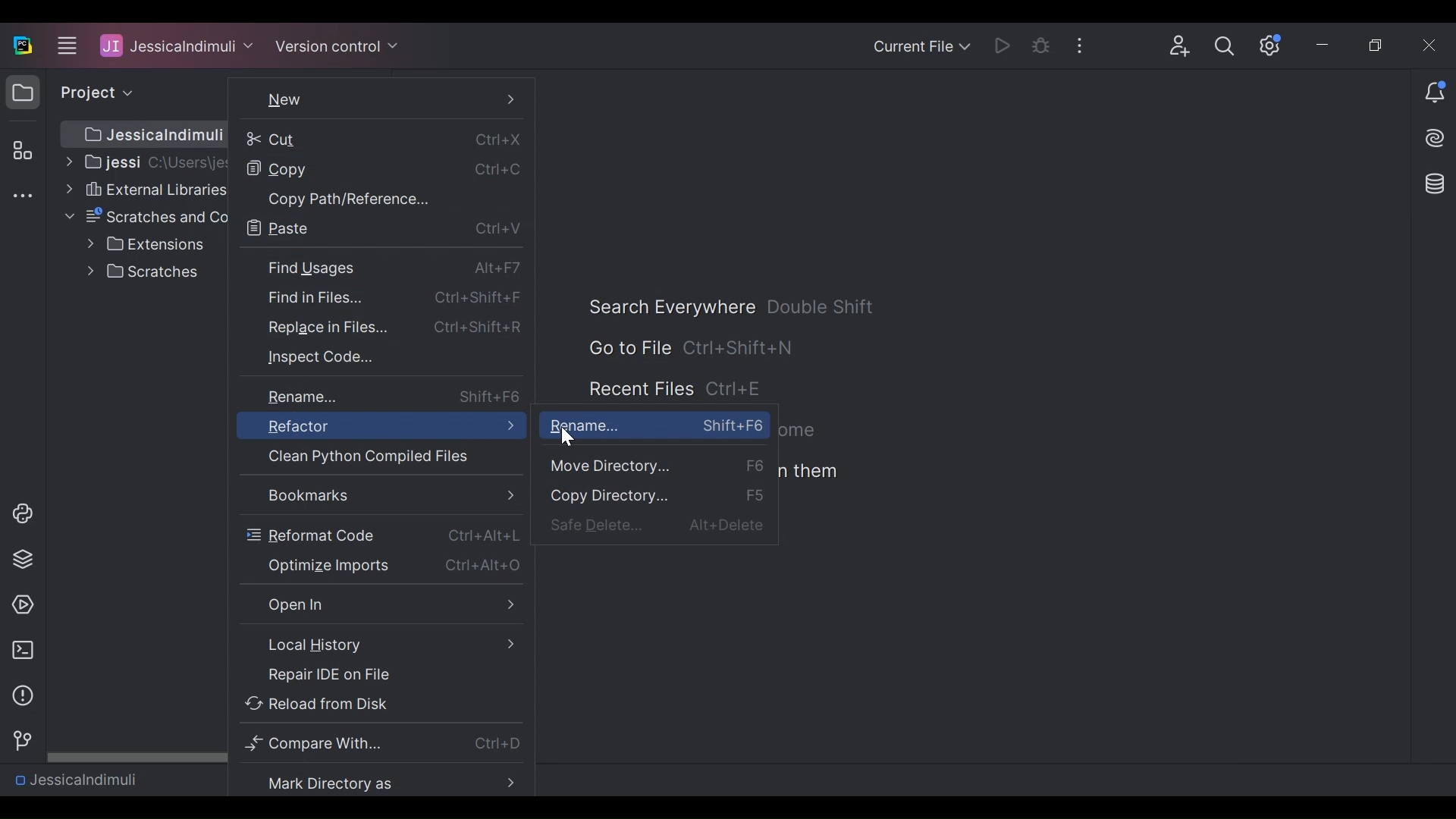 Image resolution: width=1456 pixels, height=819 pixels. I want to click on project view, so click(93, 93).